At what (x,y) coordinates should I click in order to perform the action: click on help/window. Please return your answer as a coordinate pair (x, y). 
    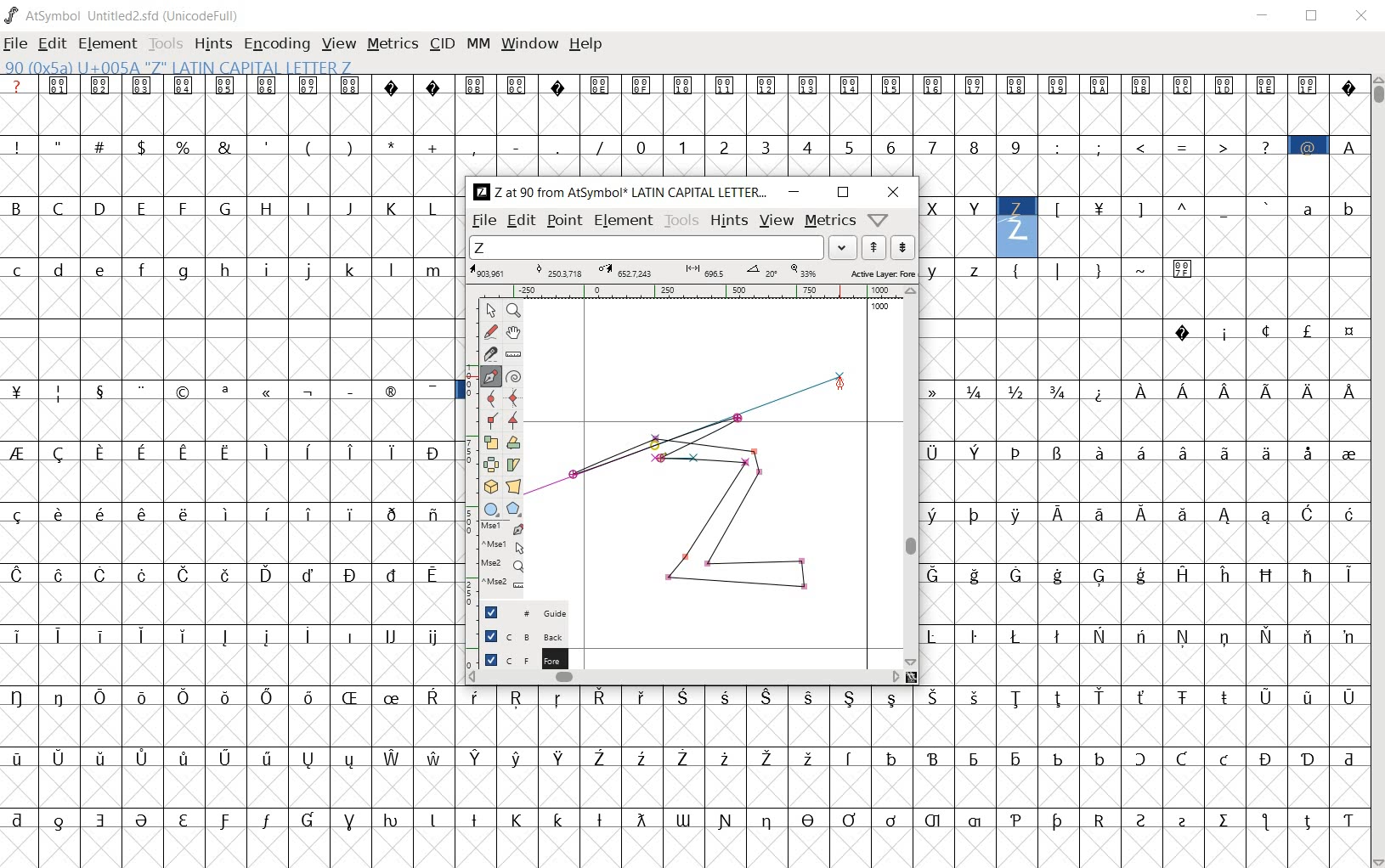
    Looking at the image, I should click on (879, 220).